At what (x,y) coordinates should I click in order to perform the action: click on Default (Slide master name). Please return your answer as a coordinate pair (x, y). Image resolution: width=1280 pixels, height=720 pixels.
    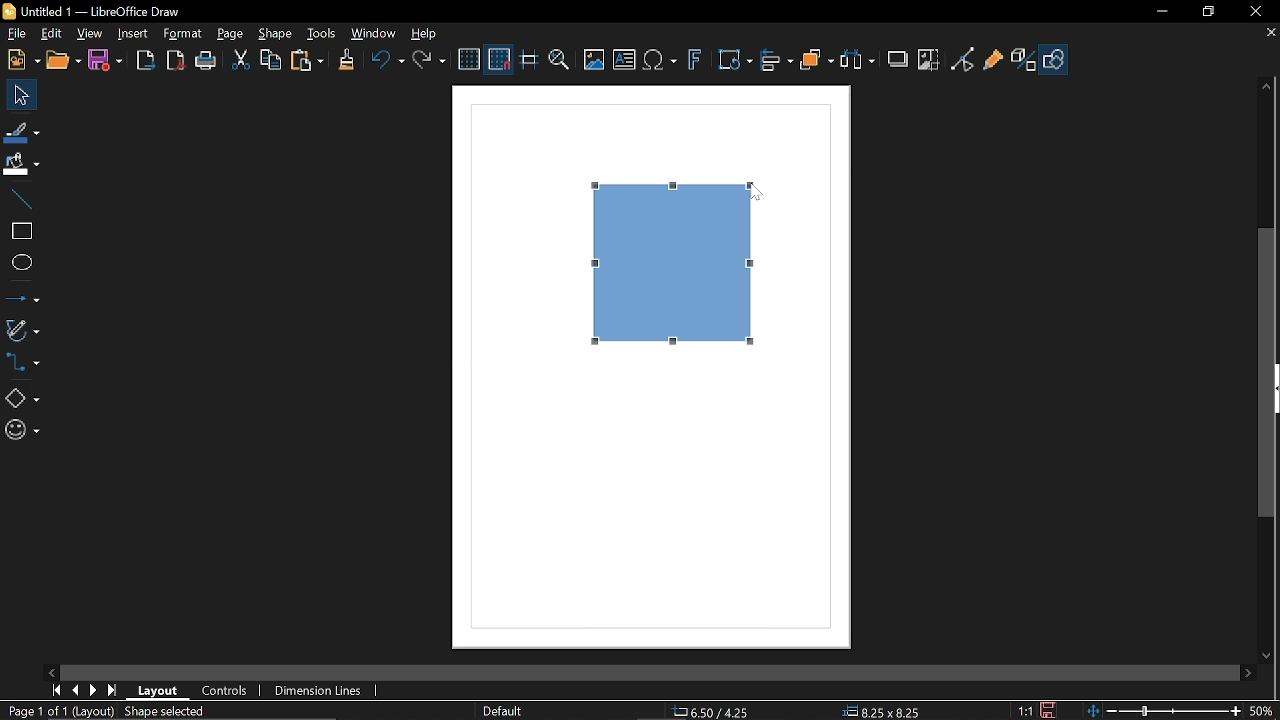
    Looking at the image, I should click on (504, 712).